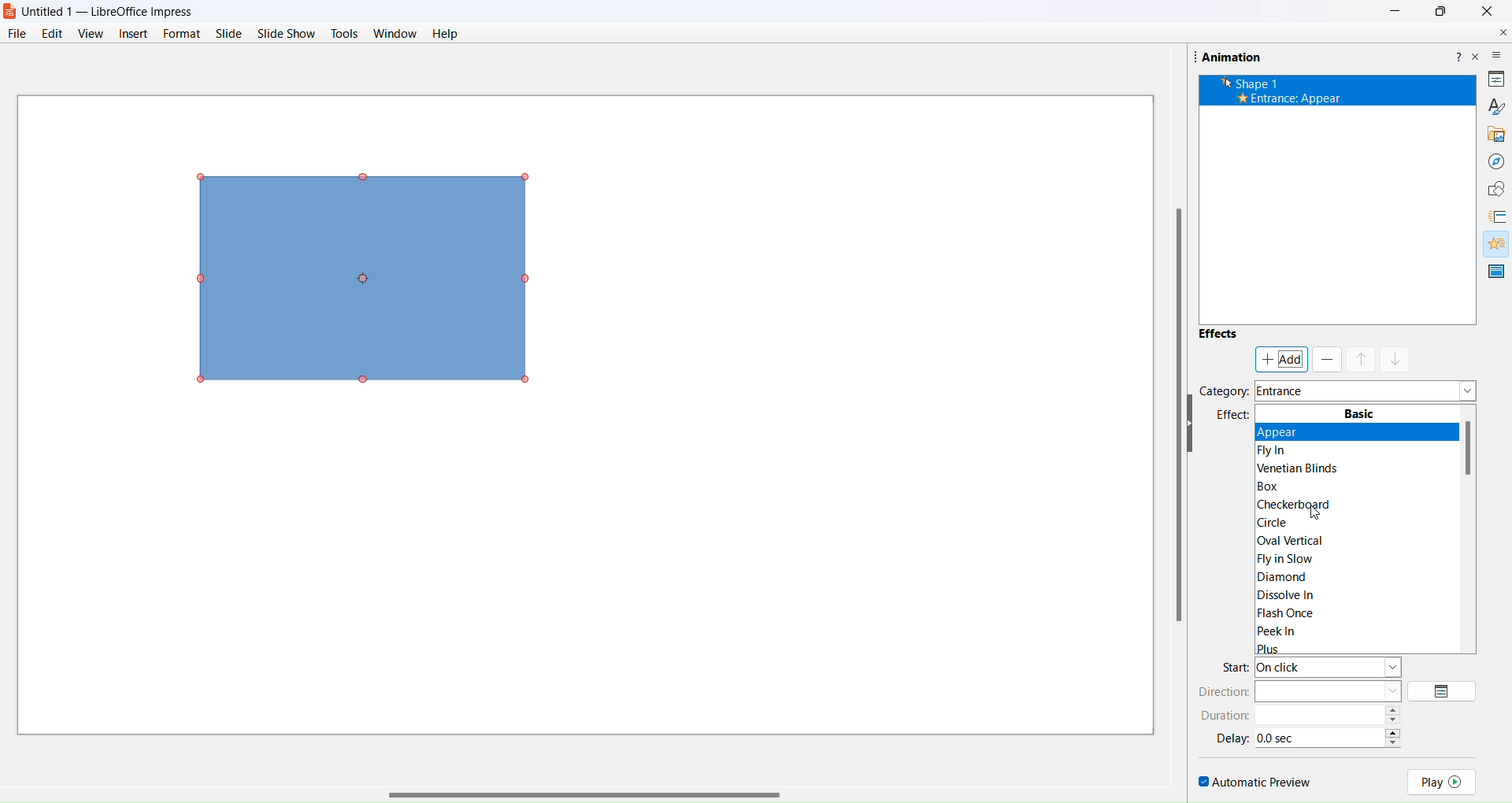 Image resolution: width=1512 pixels, height=803 pixels. I want to click on mask up, so click(1360, 358).